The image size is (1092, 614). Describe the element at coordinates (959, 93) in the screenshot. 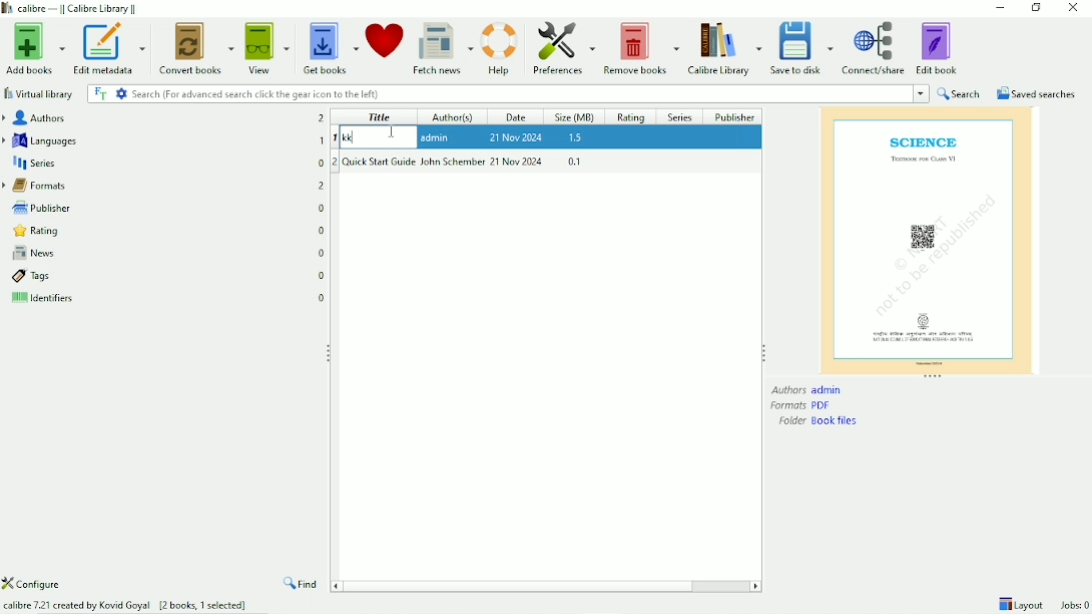

I see `Search` at that location.